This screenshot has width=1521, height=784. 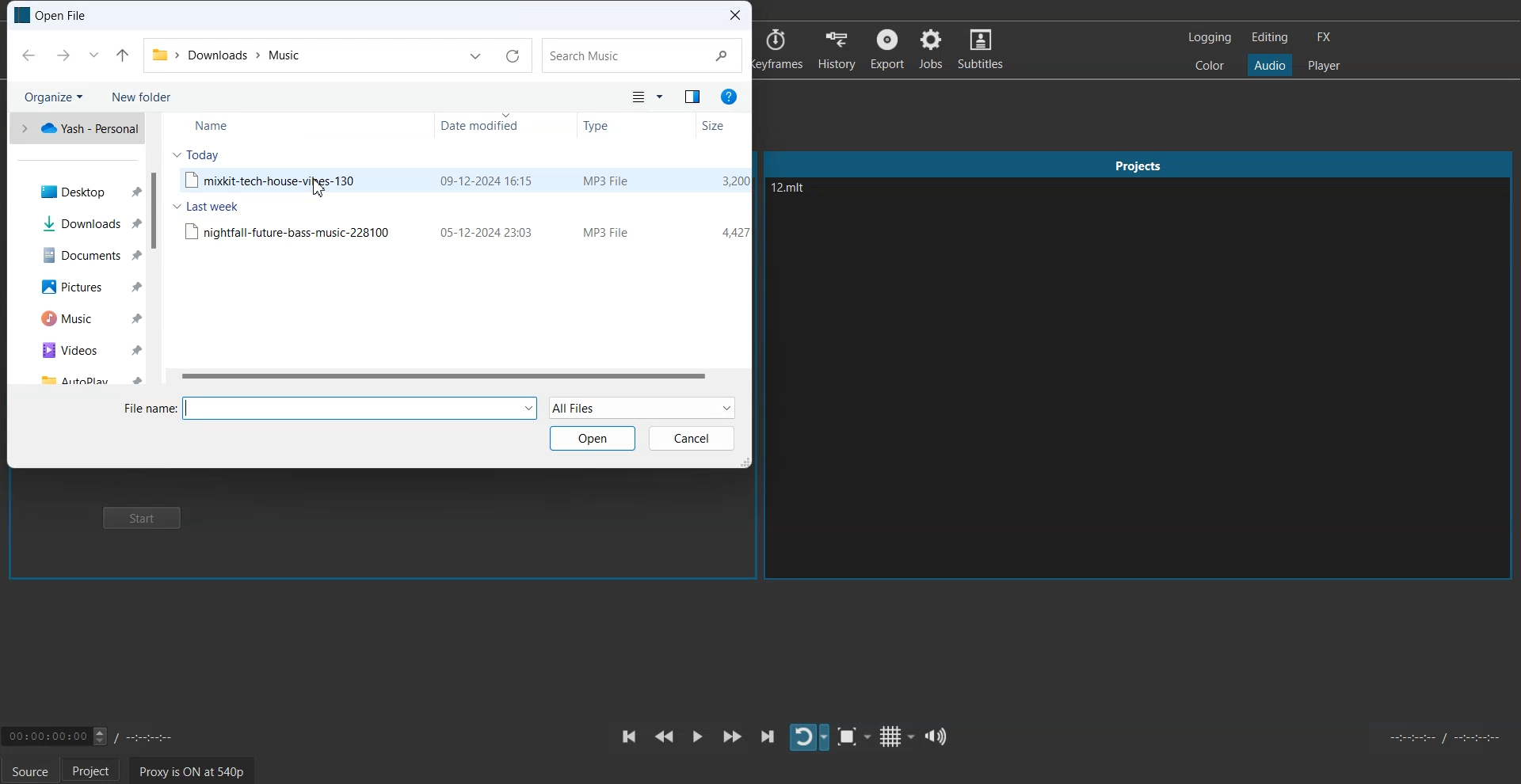 I want to click on Cancel, so click(x=692, y=439).